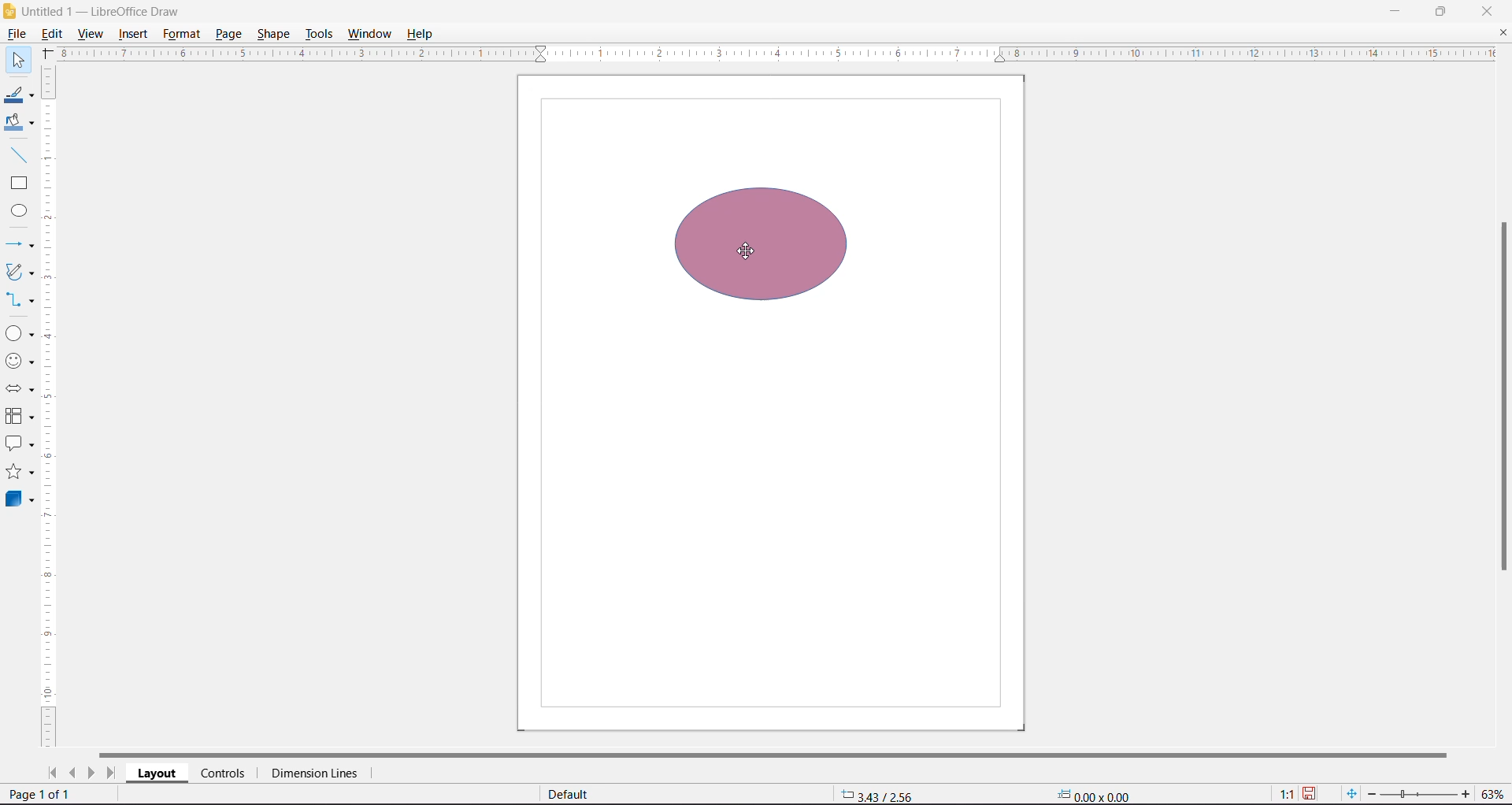 The image size is (1512, 805). I want to click on Insert, so click(133, 33).